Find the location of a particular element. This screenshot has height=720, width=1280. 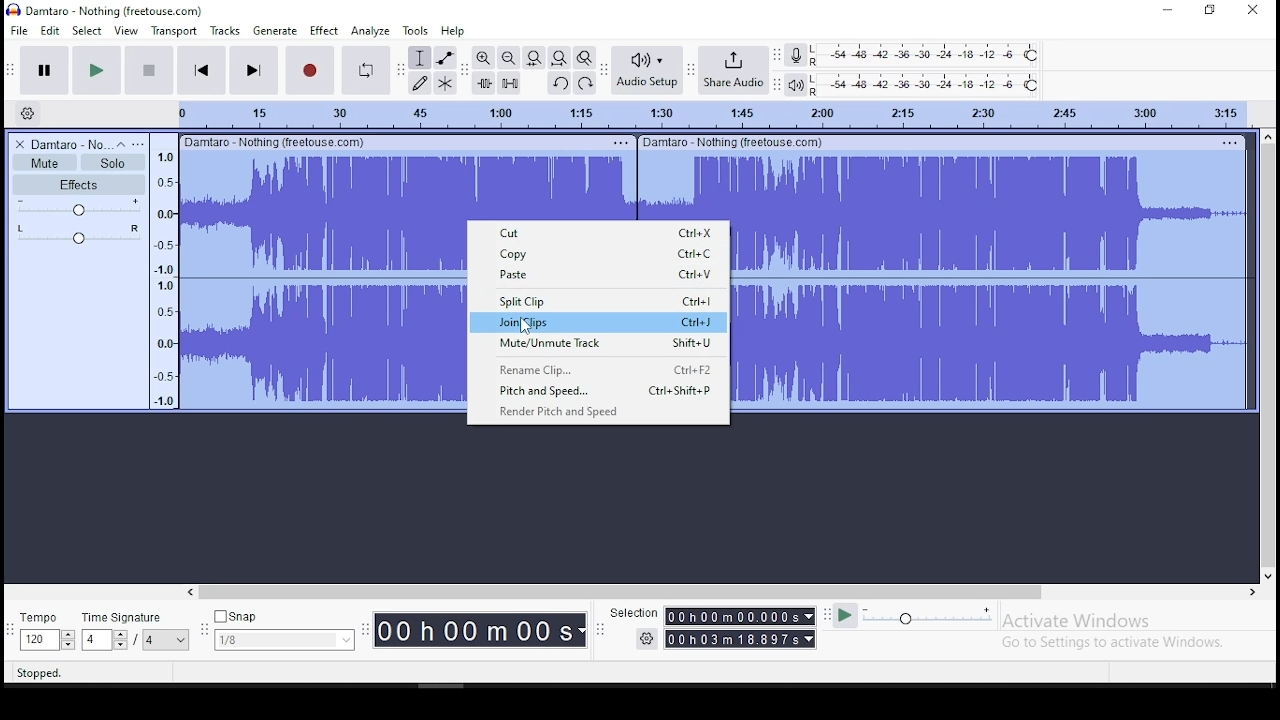

settings is located at coordinates (645, 639).